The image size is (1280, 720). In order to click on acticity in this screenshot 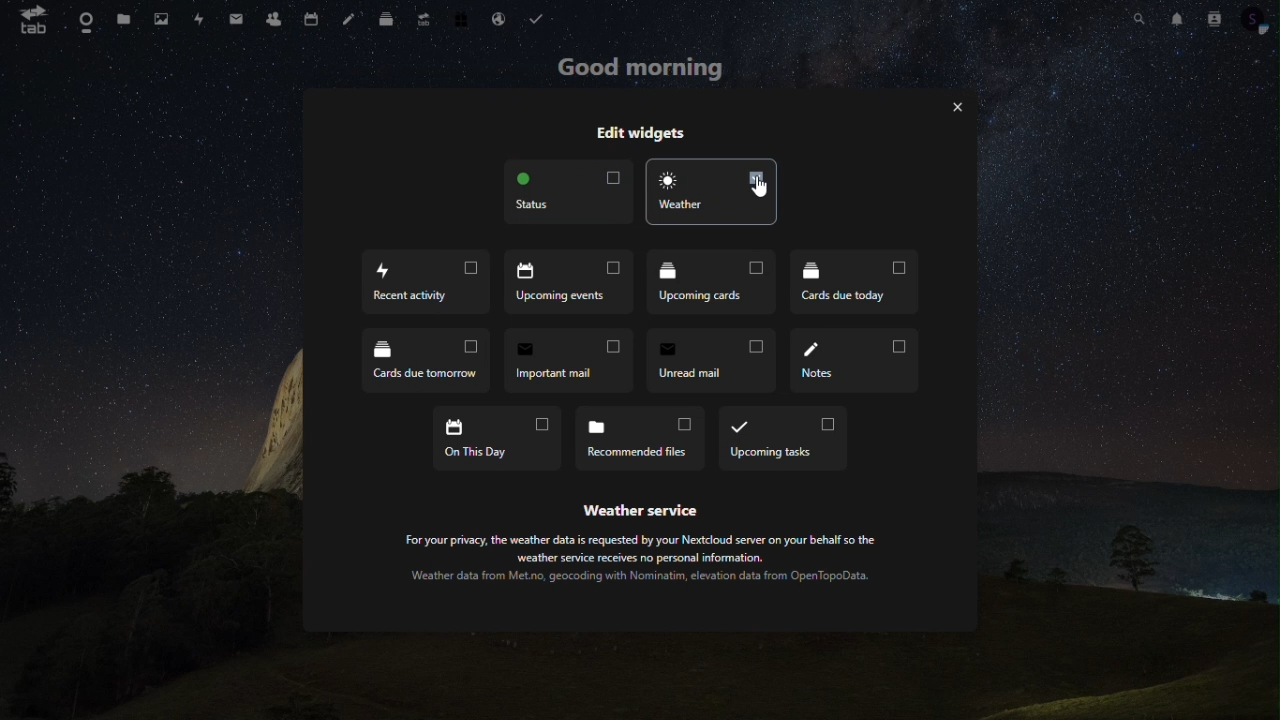, I will do `click(201, 21)`.